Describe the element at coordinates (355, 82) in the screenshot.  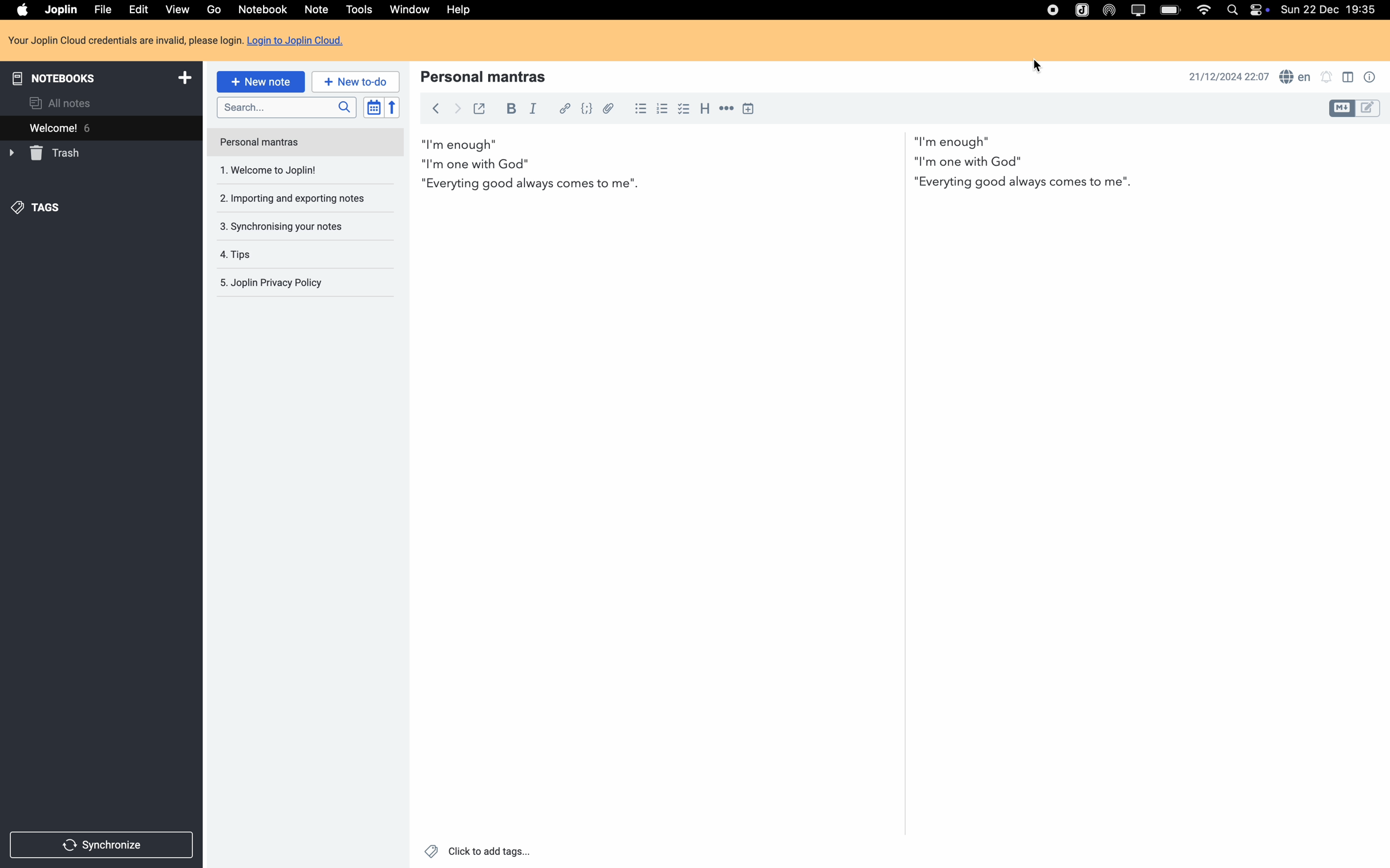
I see `new to-do` at that location.